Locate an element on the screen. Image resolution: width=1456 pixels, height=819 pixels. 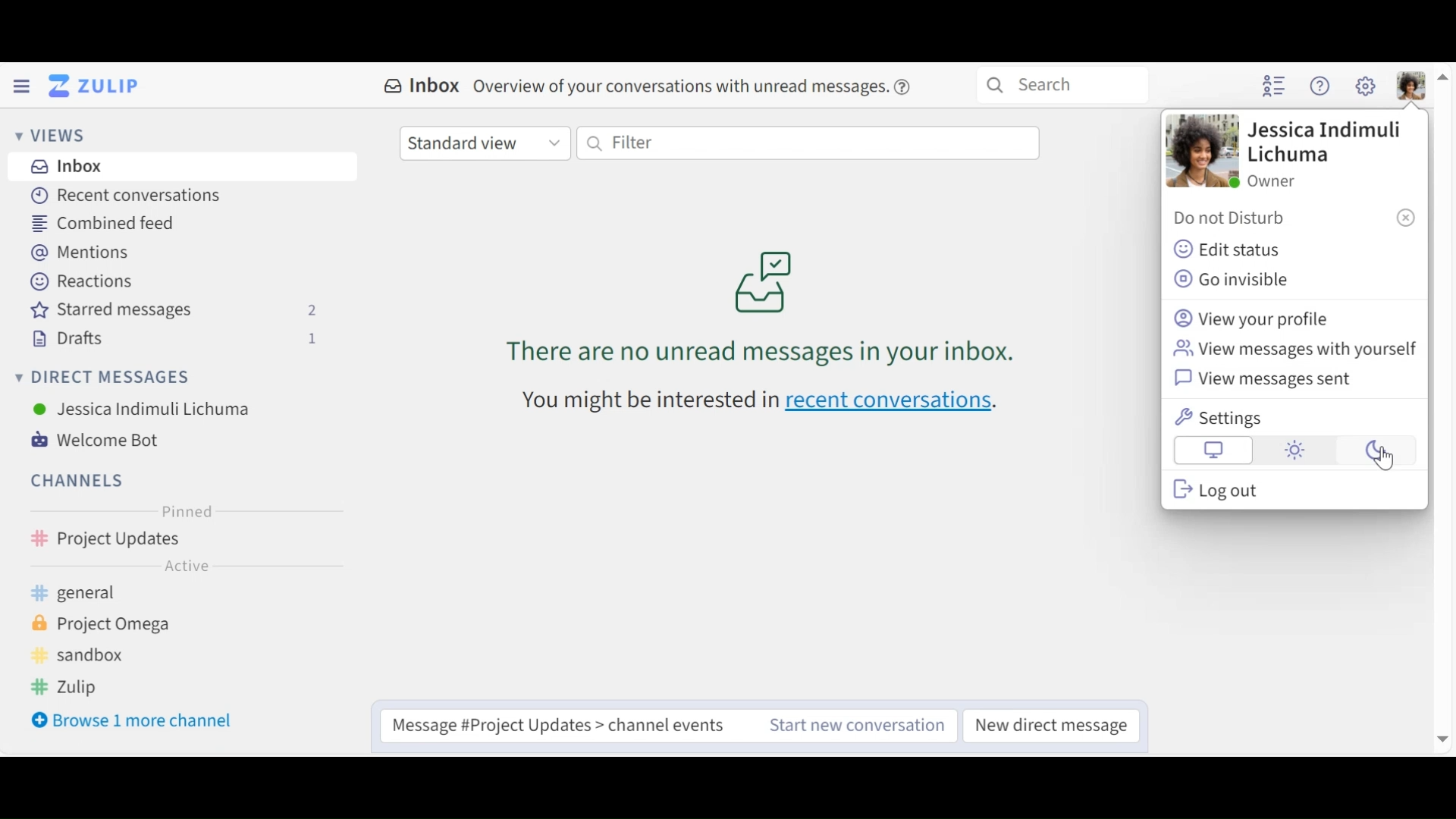
Filter is located at coordinates (807, 143).